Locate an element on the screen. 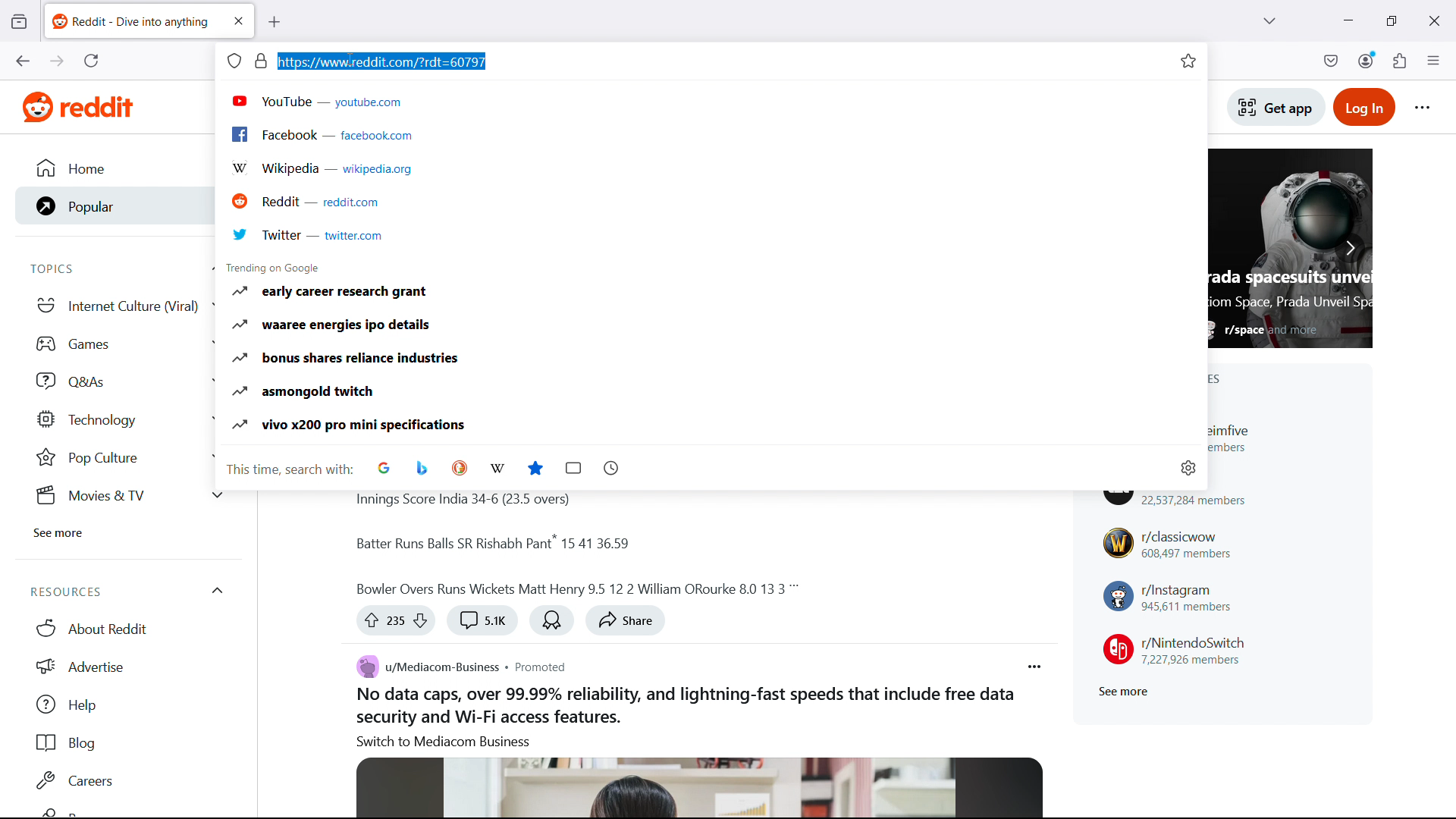 This screenshot has width=1456, height=819. save to pocket is located at coordinates (1331, 60).